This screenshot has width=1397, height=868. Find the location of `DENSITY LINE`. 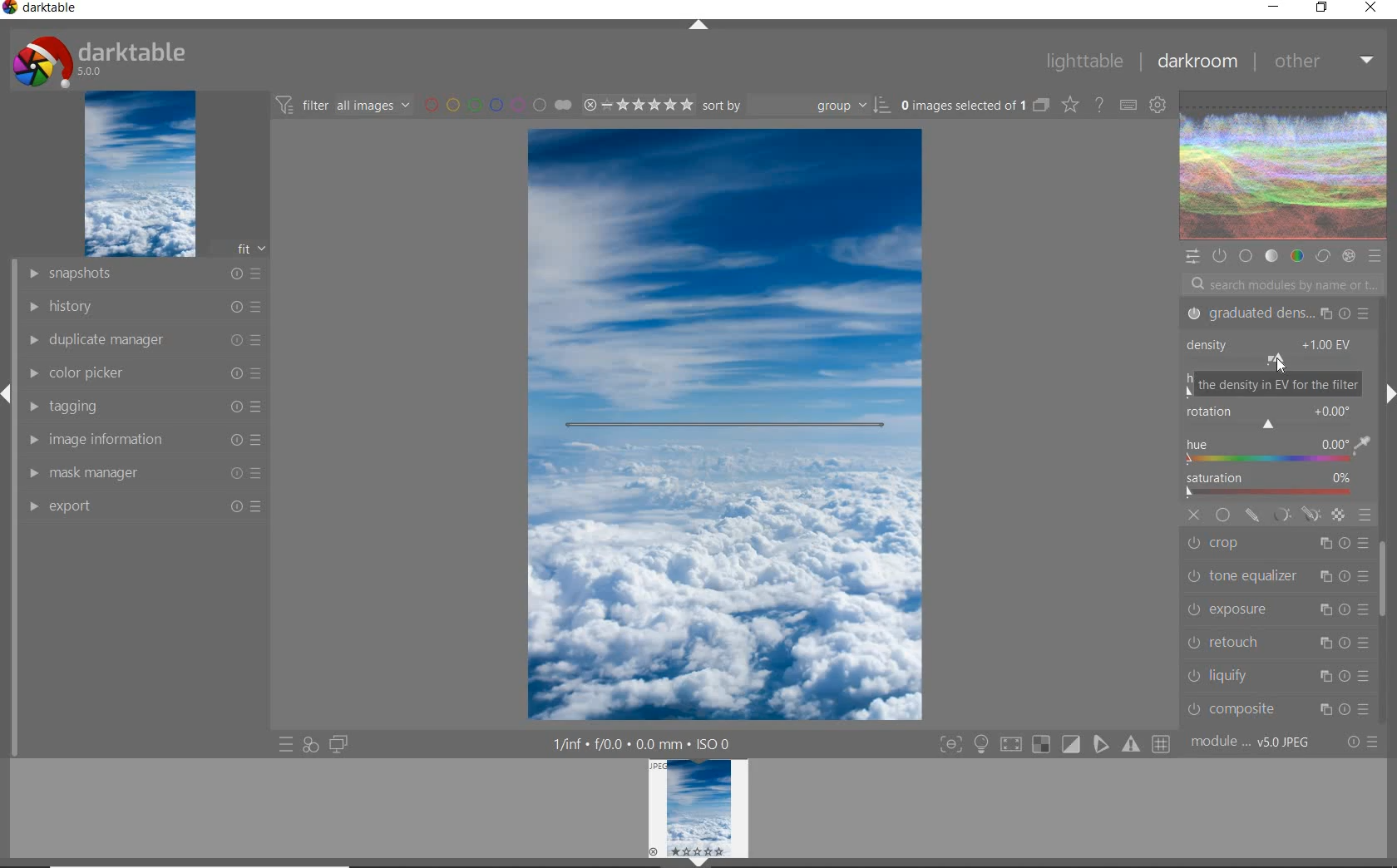

DENSITY LINE is located at coordinates (725, 427).